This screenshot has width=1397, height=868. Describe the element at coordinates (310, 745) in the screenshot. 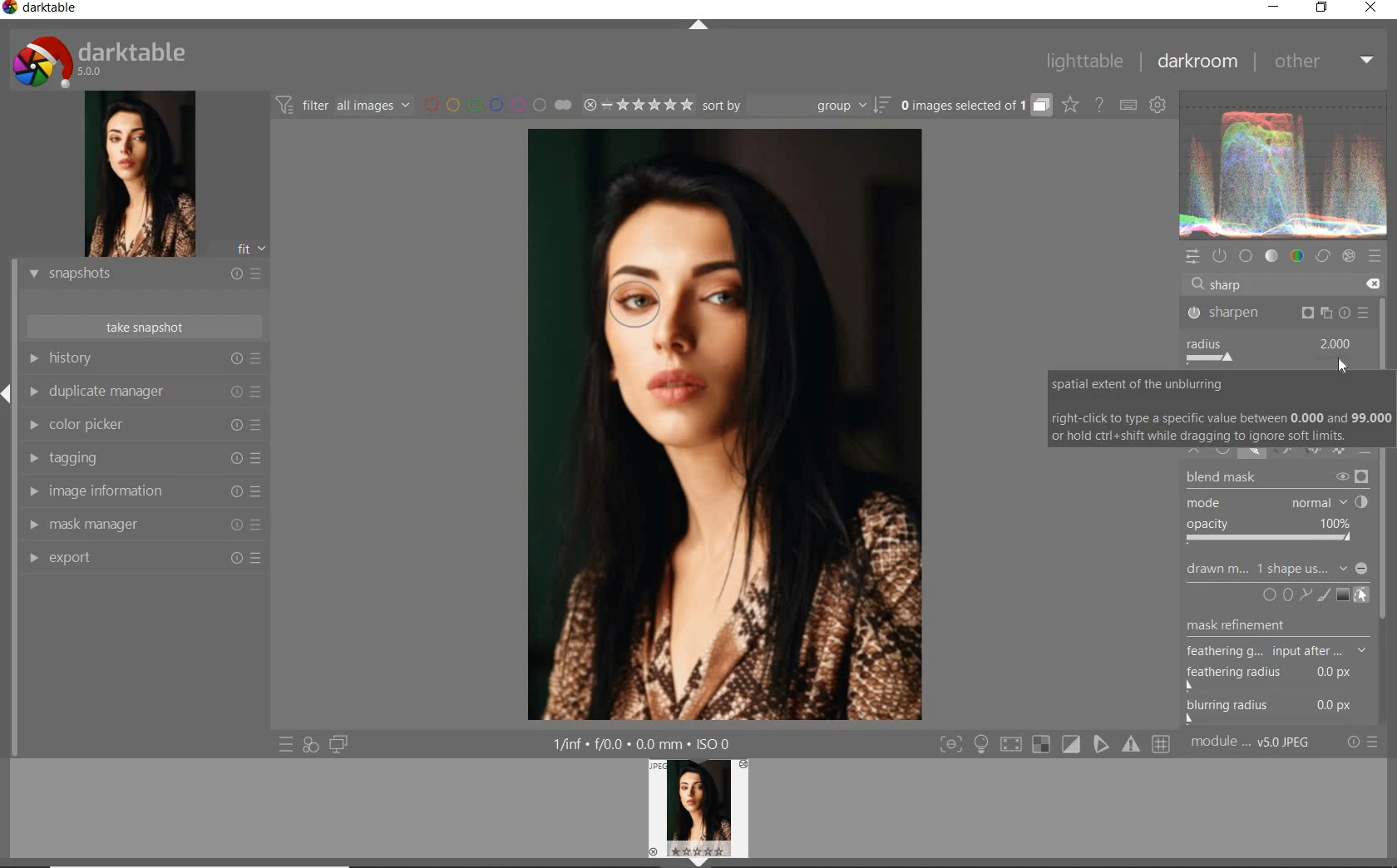

I see `quick access for applying any of your styles` at that location.